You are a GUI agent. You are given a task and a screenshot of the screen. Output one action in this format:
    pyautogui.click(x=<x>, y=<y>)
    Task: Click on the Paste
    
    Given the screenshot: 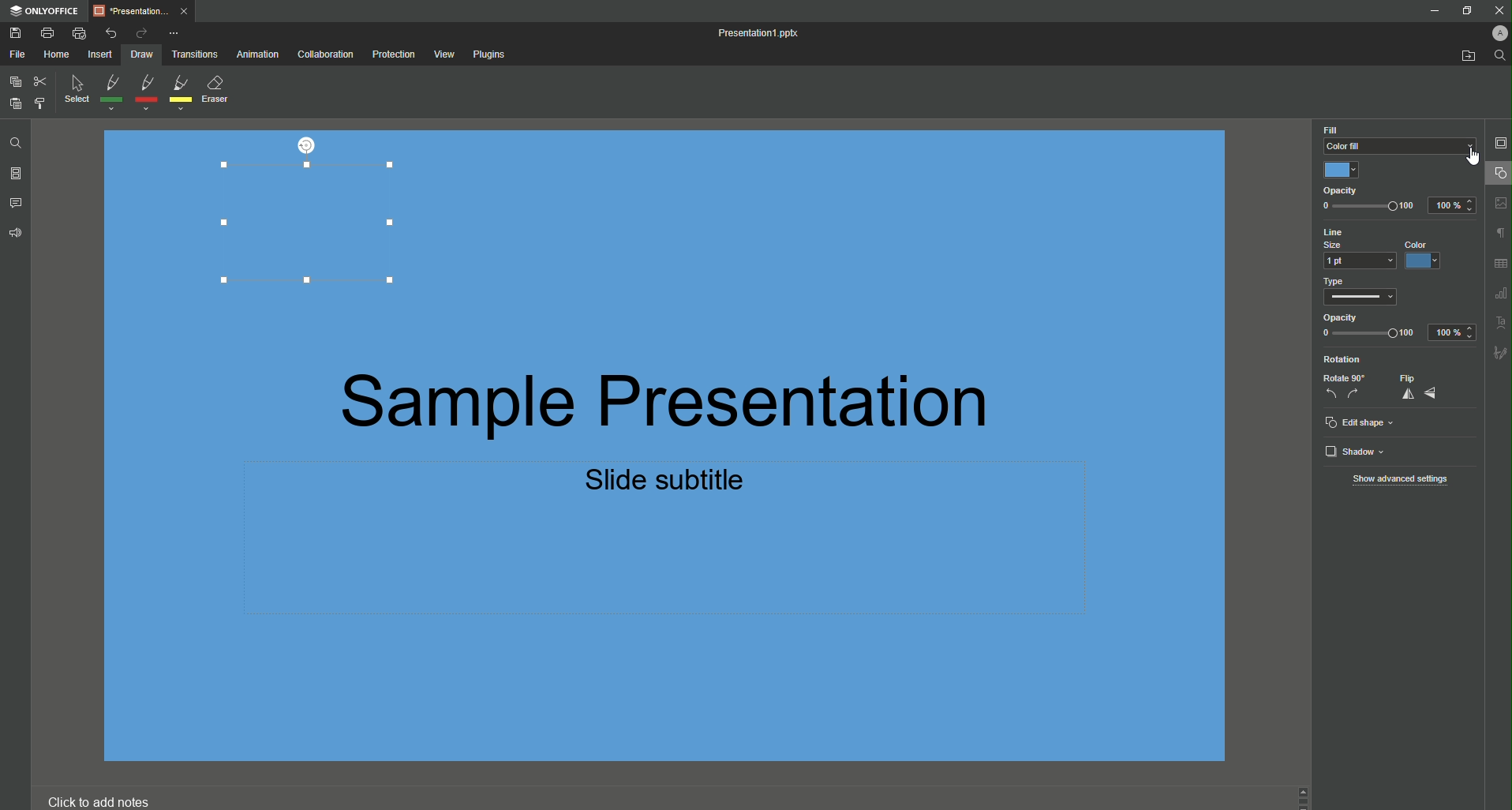 What is the action you would take?
    pyautogui.click(x=15, y=103)
    